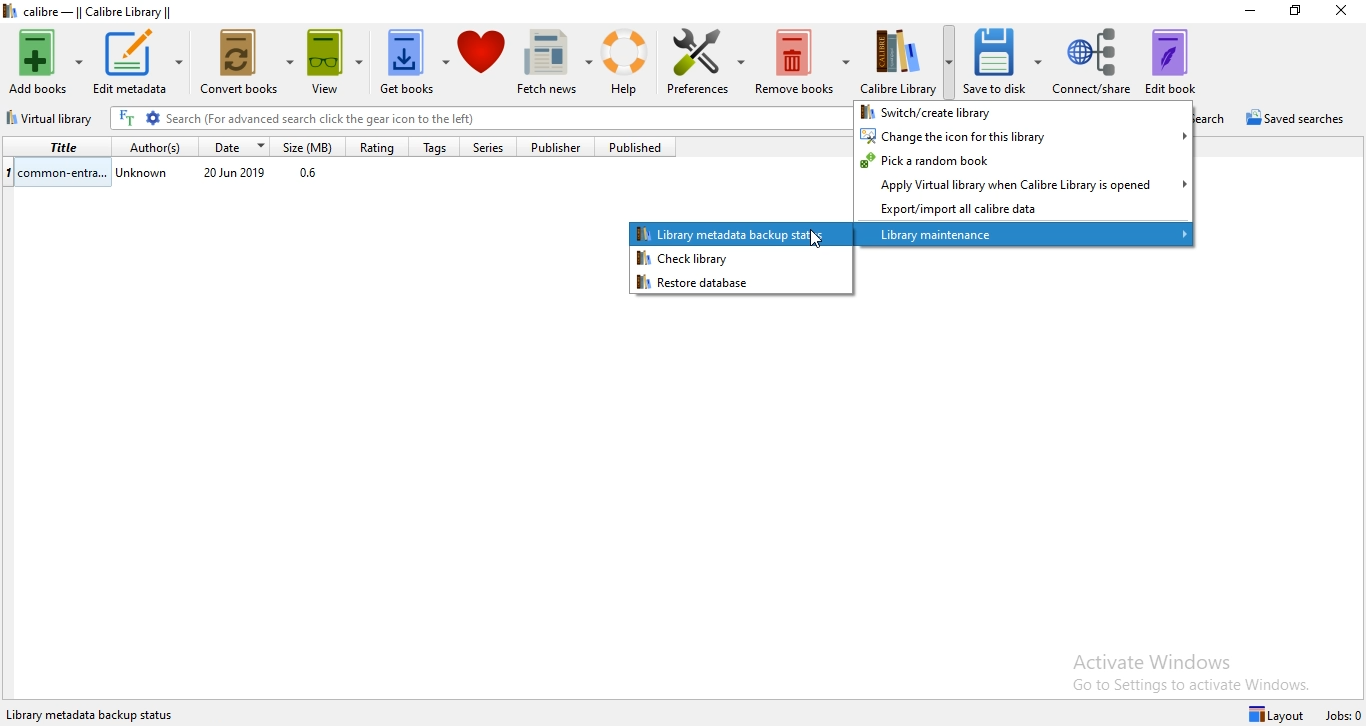 Image resolution: width=1366 pixels, height=726 pixels. Describe the element at coordinates (630, 63) in the screenshot. I see `Help` at that location.